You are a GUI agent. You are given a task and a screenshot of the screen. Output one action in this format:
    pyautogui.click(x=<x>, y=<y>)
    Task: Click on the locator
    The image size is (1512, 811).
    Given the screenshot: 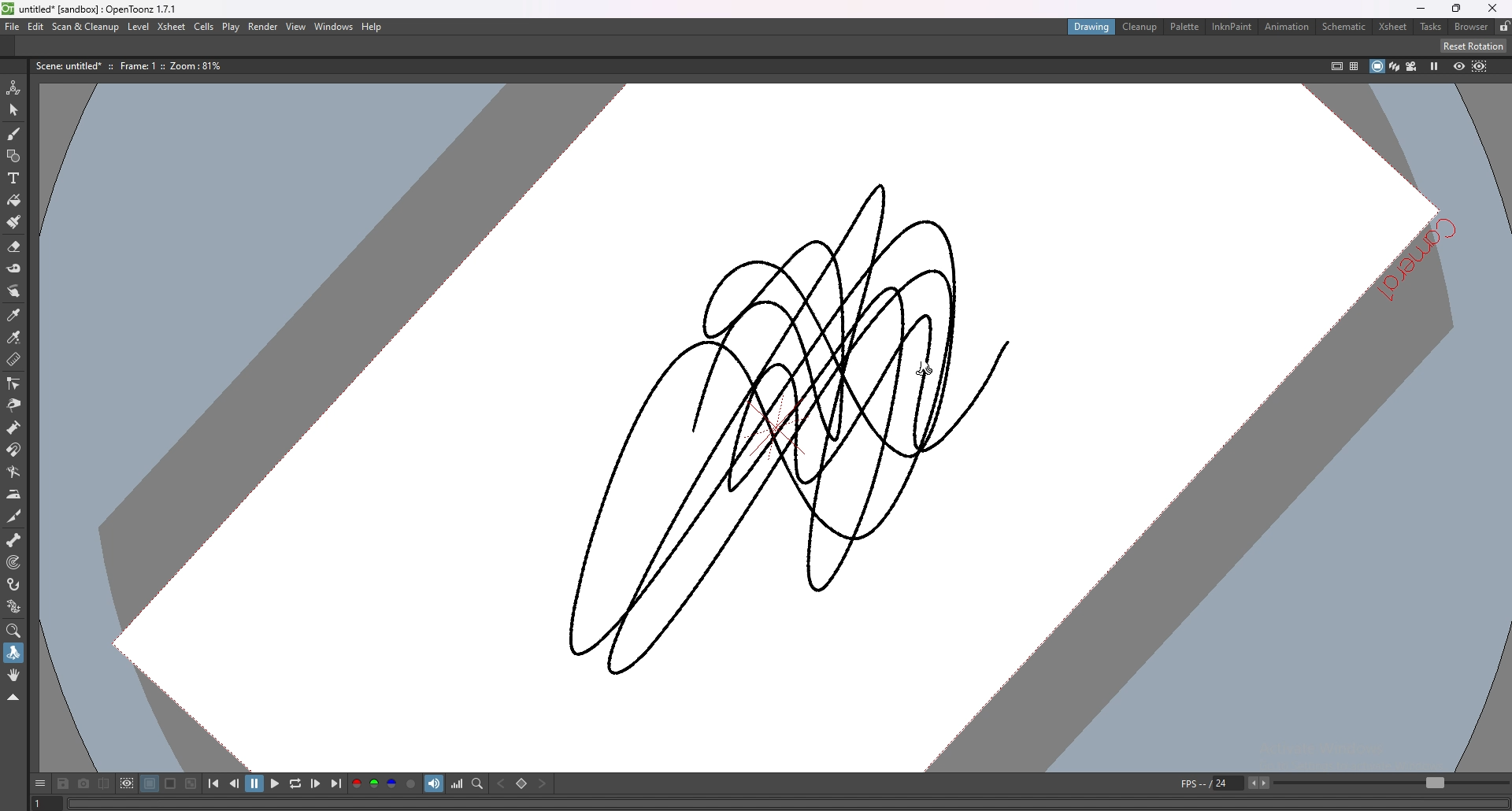 What is the action you would take?
    pyautogui.click(x=478, y=784)
    